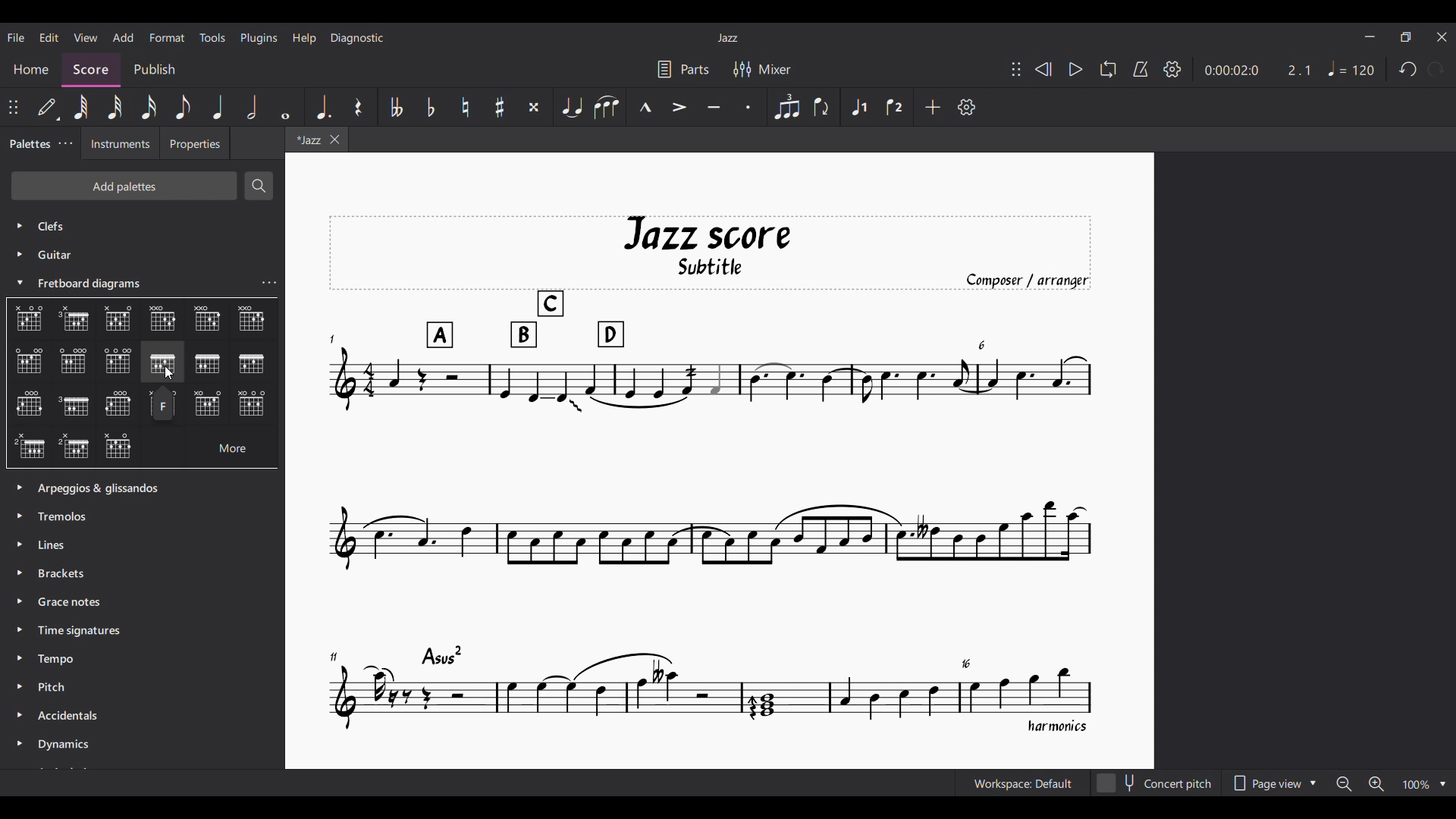  What do you see at coordinates (606, 108) in the screenshot?
I see `Slur` at bounding box center [606, 108].